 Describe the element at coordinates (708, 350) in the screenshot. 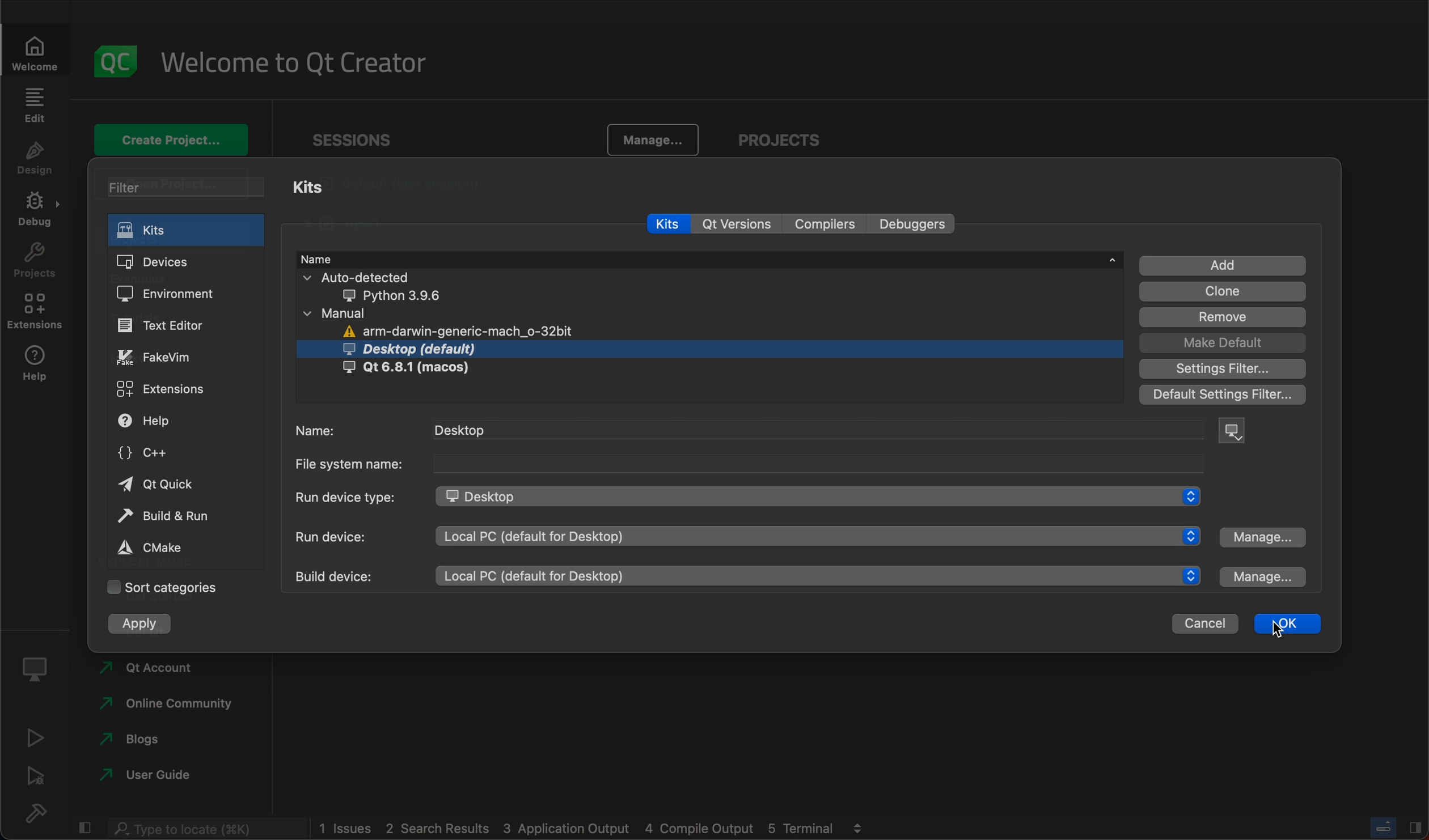

I see `desktop (default)` at that location.